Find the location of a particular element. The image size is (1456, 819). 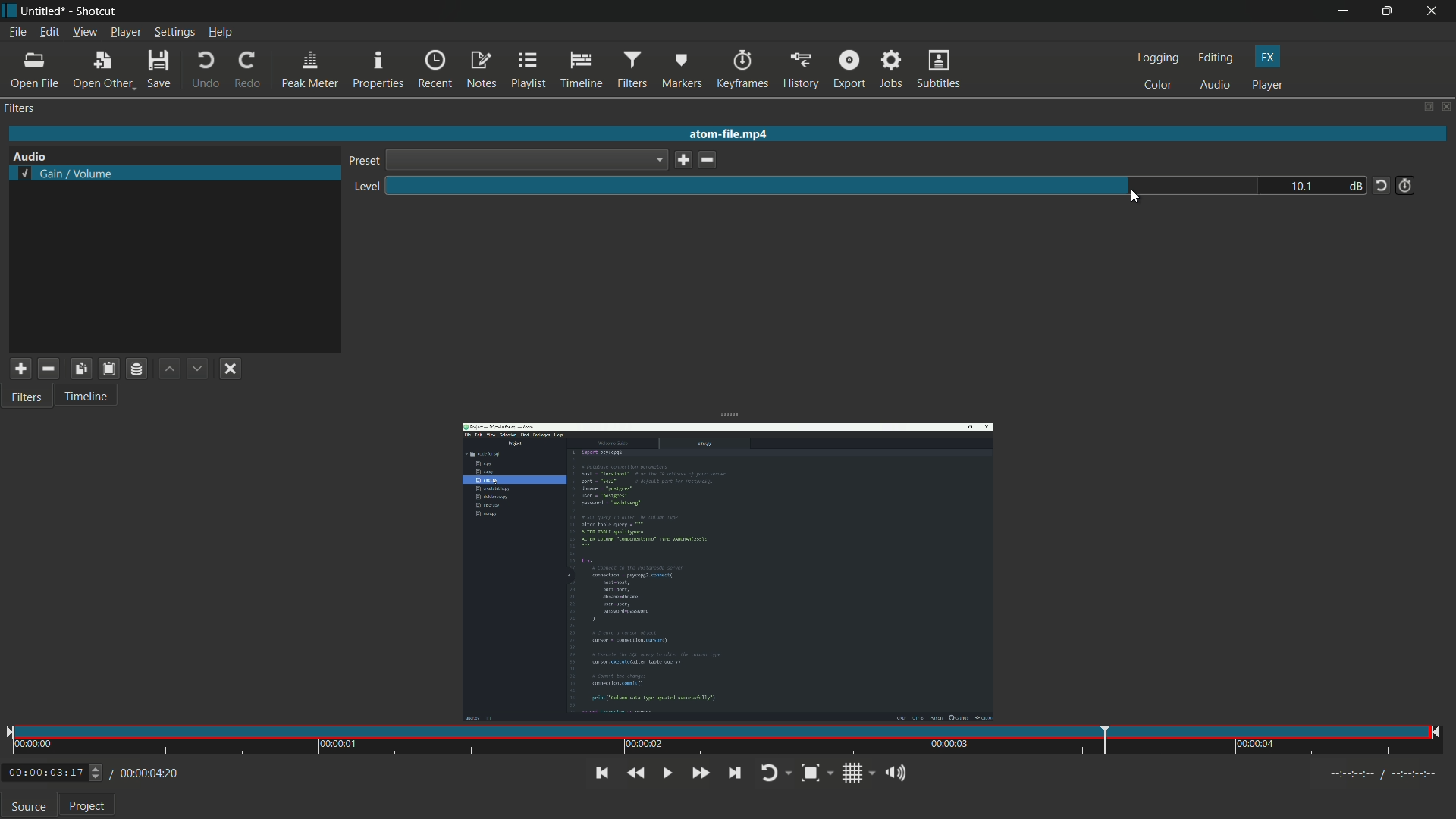

filter is located at coordinates (20, 108).